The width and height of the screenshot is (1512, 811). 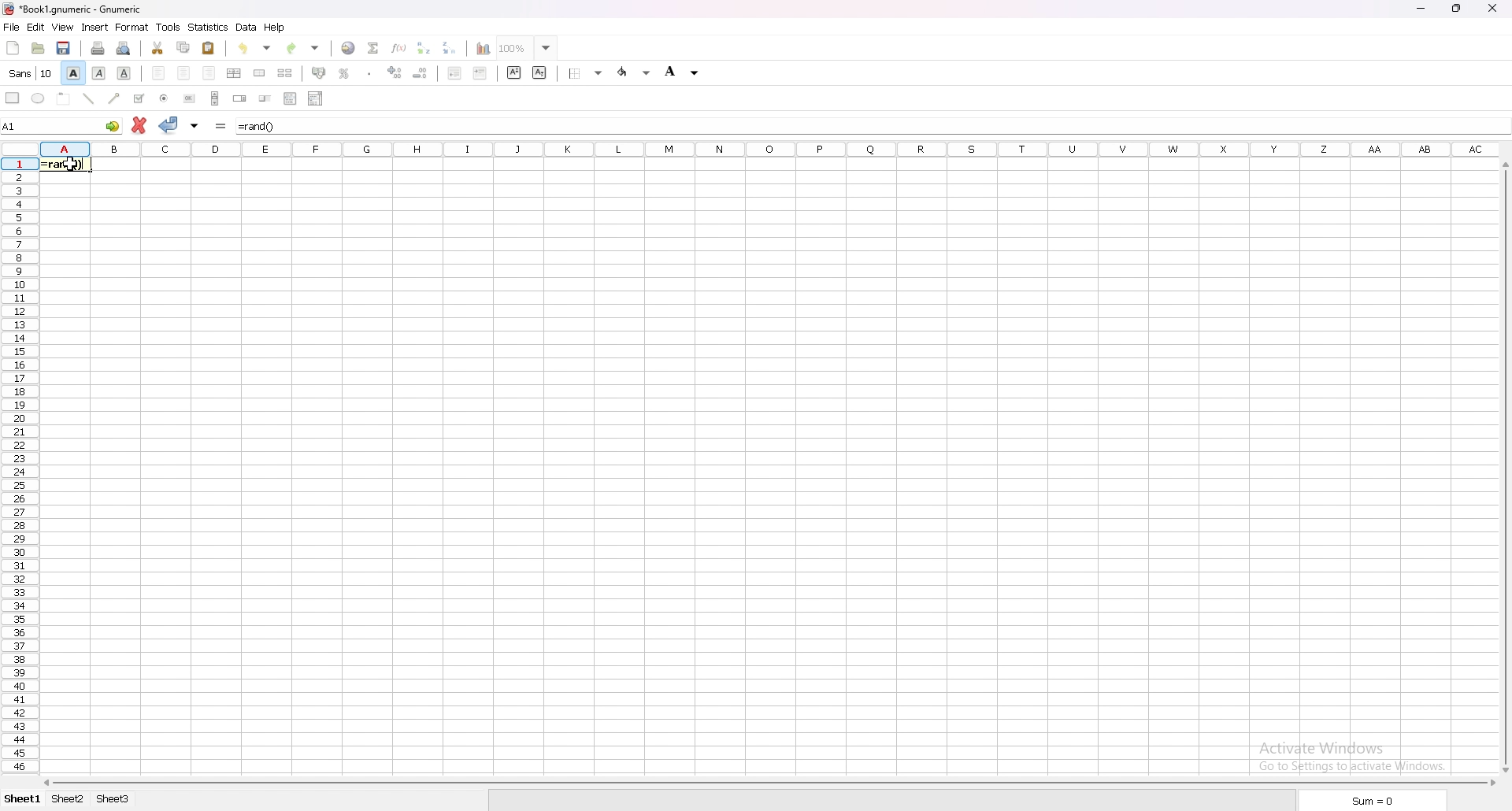 I want to click on resize, so click(x=1455, y=9).